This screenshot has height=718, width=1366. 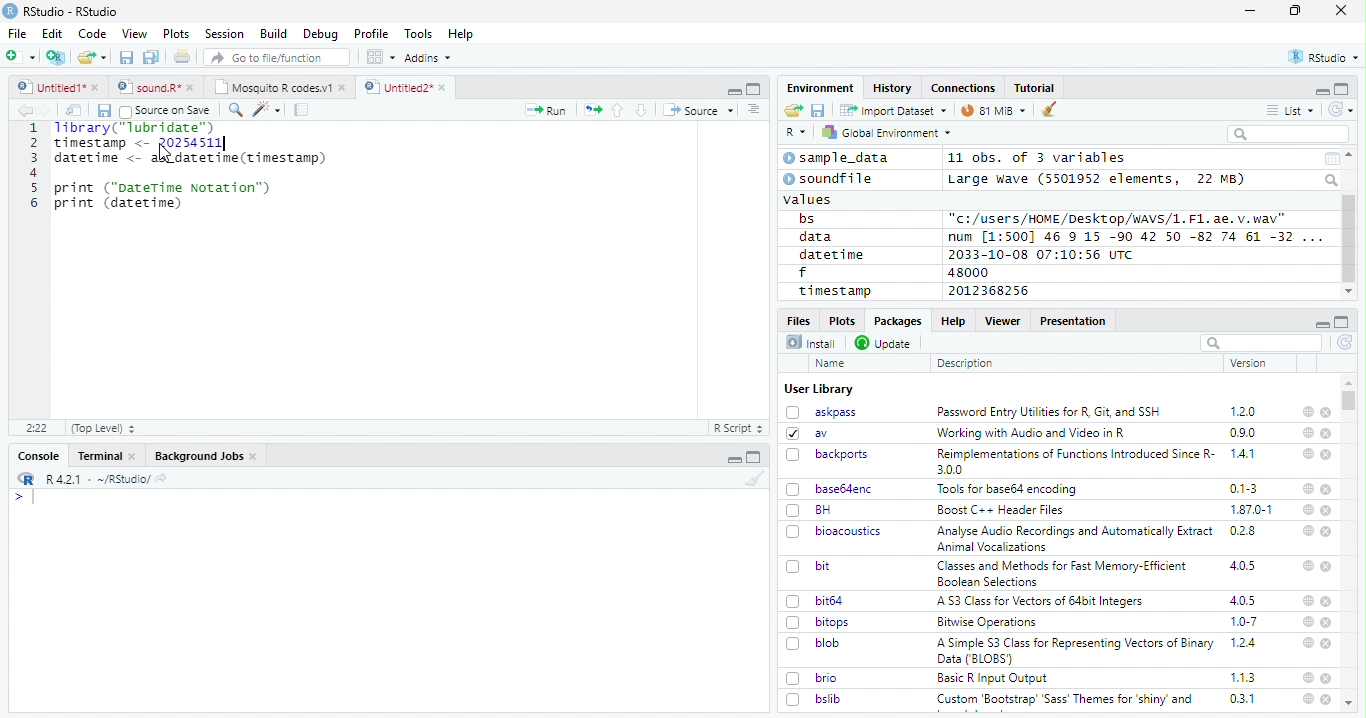 I want to click on 1.1.3, so click(x=1243, y=677).